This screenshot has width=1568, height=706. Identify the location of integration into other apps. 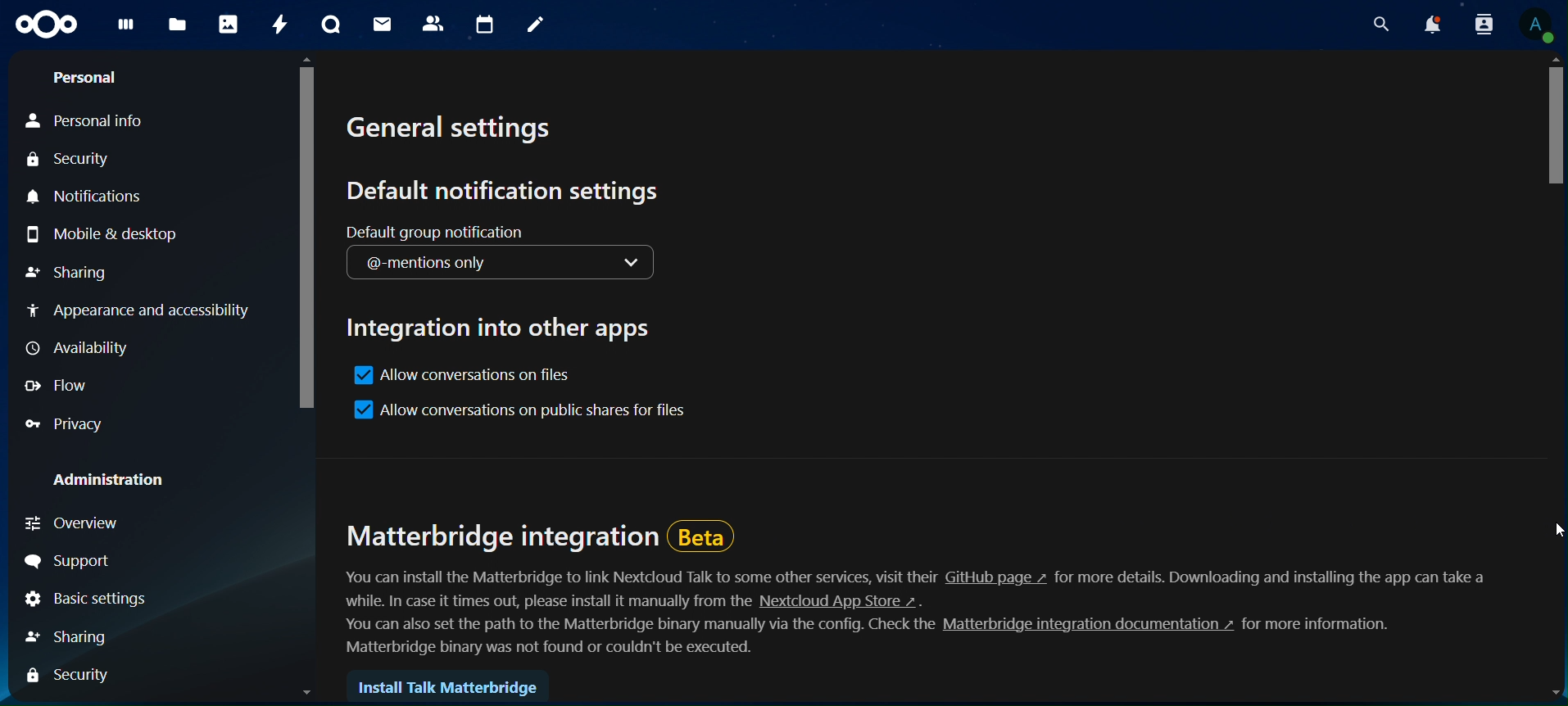
(496, 327).